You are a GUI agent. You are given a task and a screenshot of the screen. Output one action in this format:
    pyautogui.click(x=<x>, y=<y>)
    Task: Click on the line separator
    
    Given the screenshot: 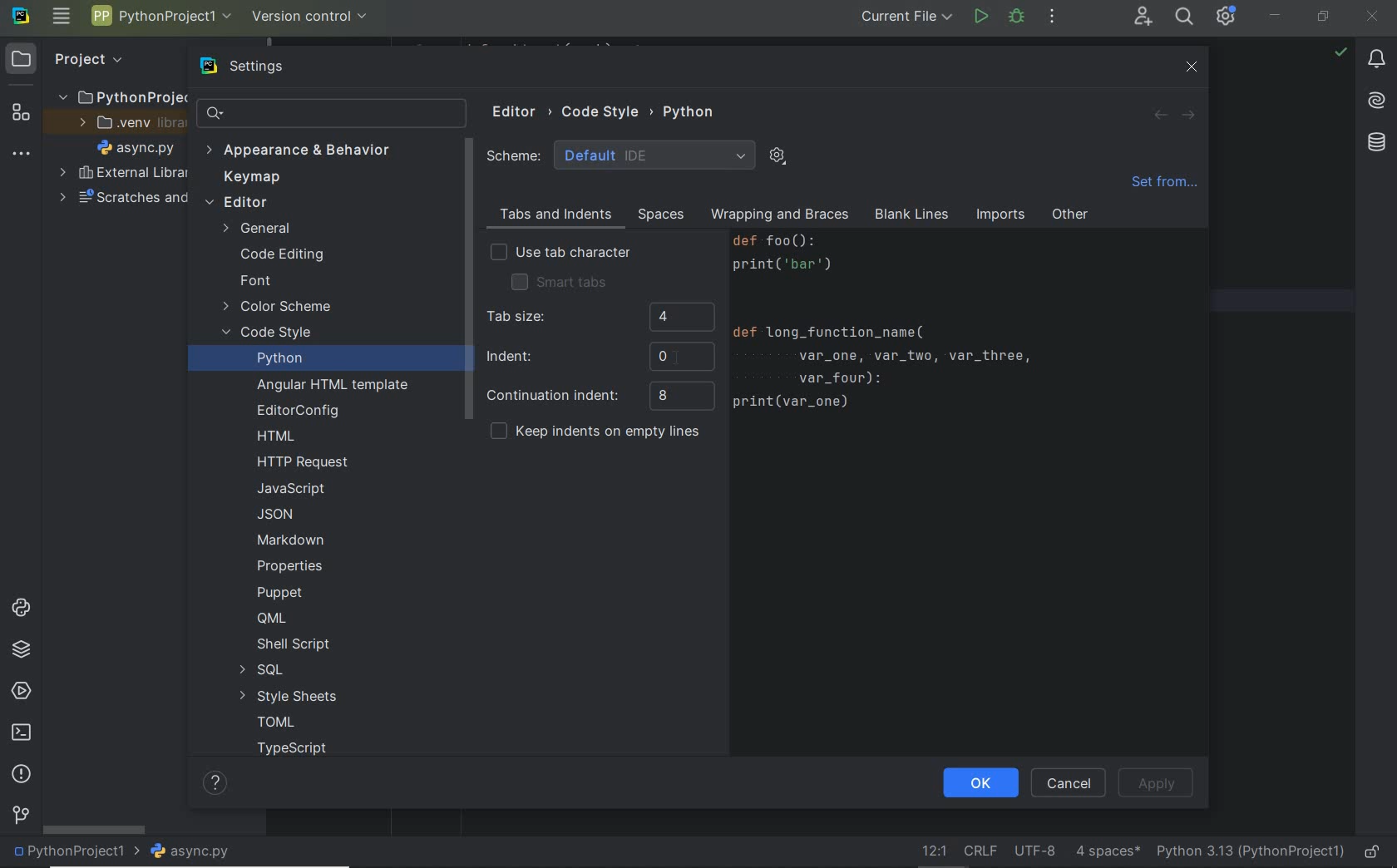 What is the action you would take?
    pyautogui.click(x=983, y=849)
    